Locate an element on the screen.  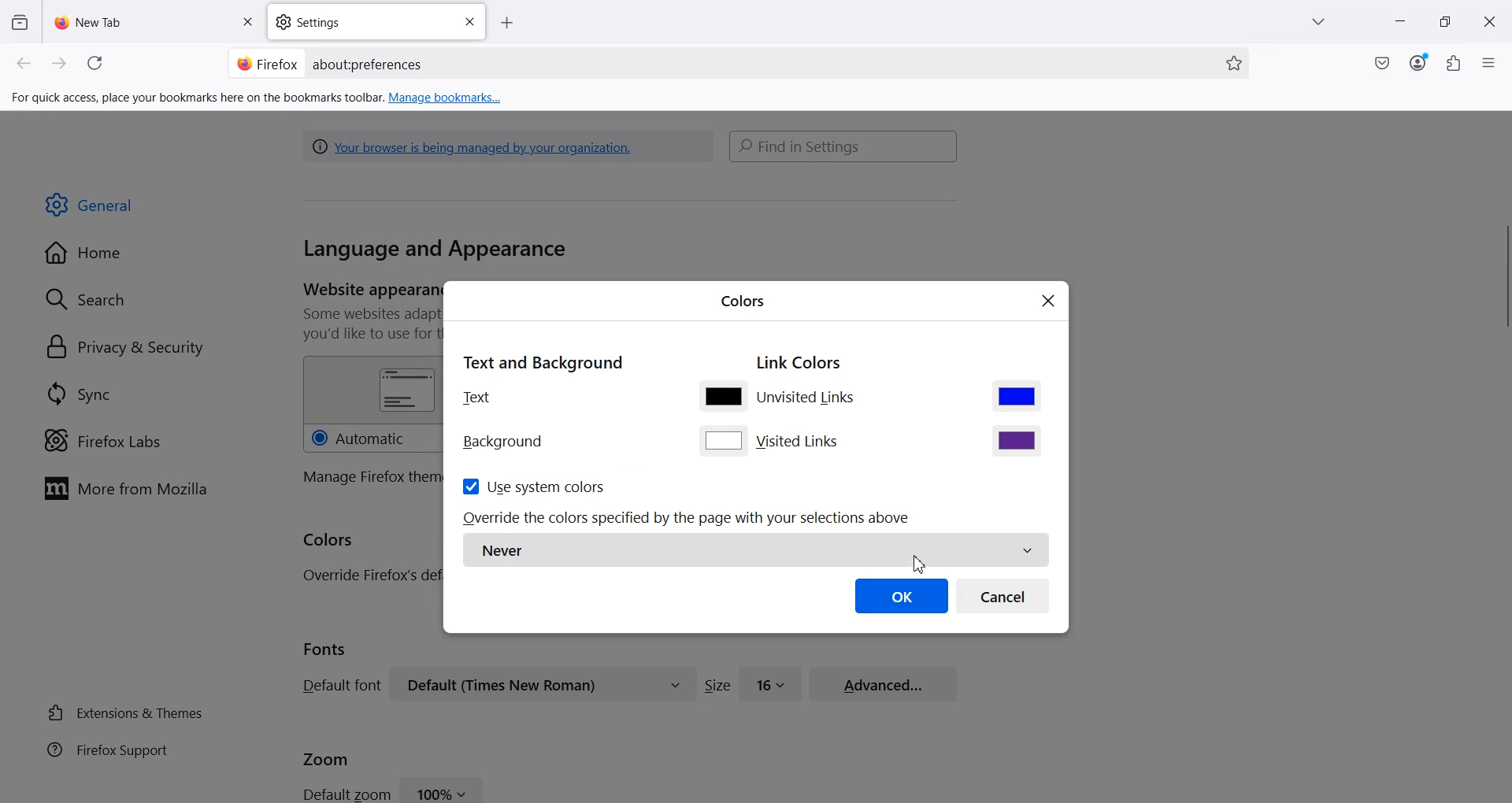
Backward is located at coordinates (25, 64).